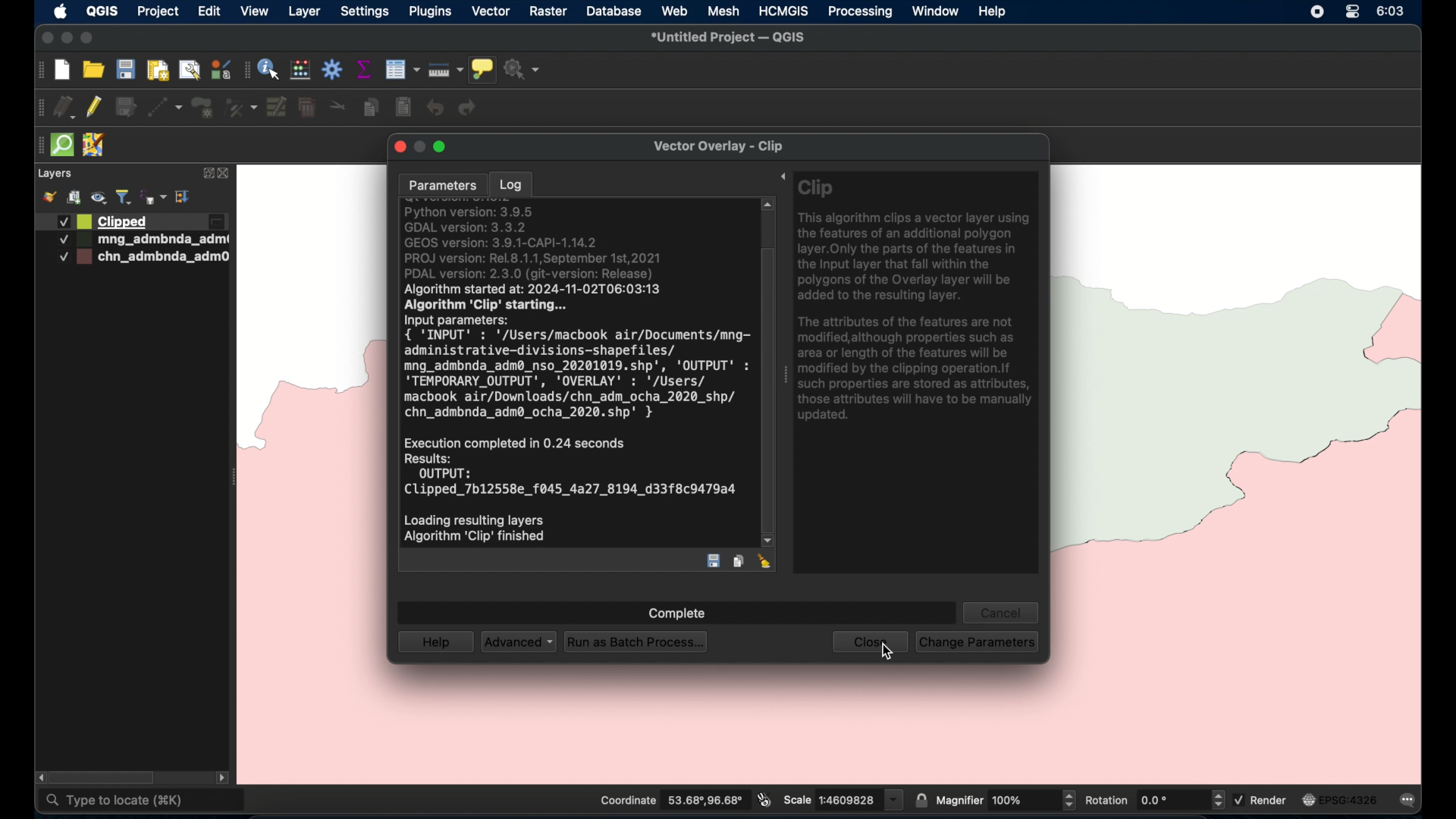 The image size is (1456, 819). I want to click on no action selected, so click(522, 69).